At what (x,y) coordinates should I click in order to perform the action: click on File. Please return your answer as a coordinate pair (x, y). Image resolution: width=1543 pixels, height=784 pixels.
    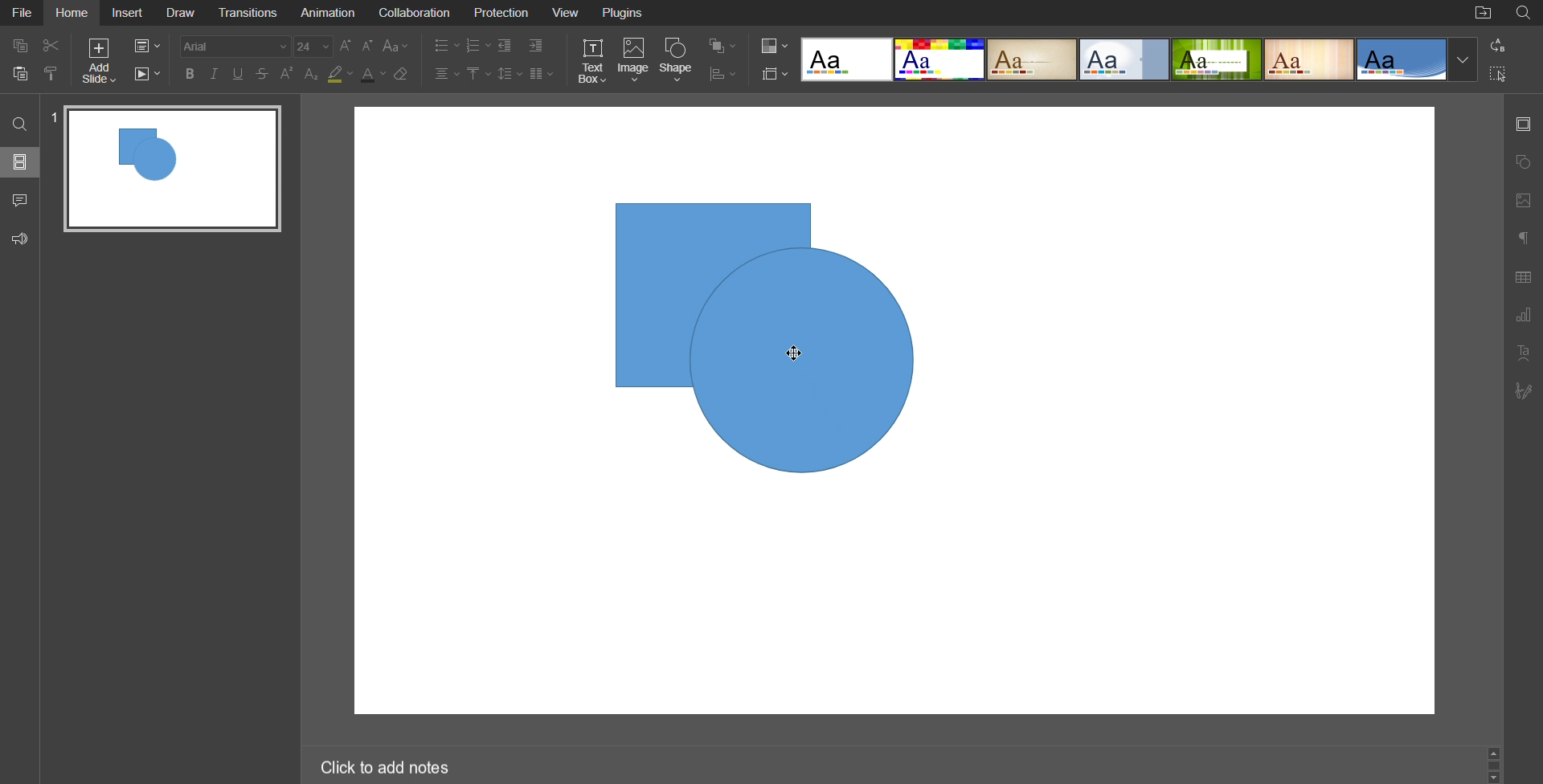
    Looking at the image, I should click on (21, 13).